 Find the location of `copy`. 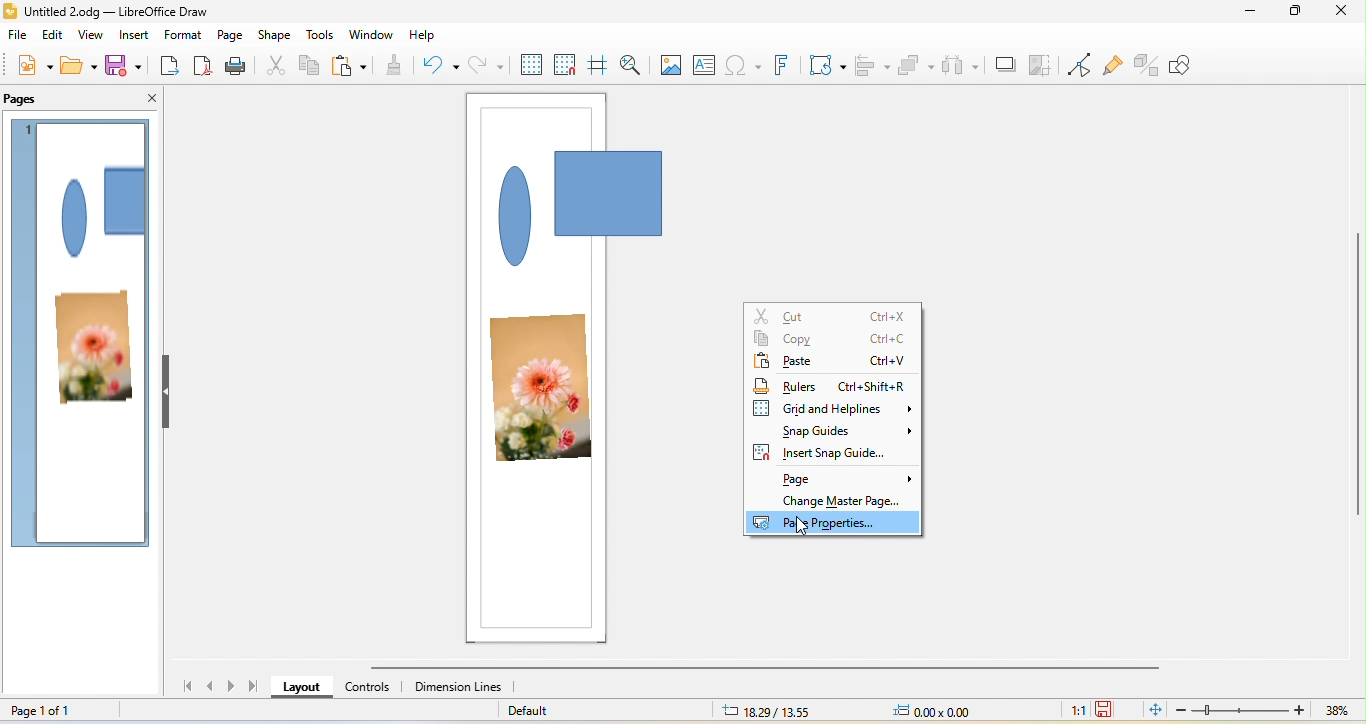

copy is located at coordinates (310, 67).